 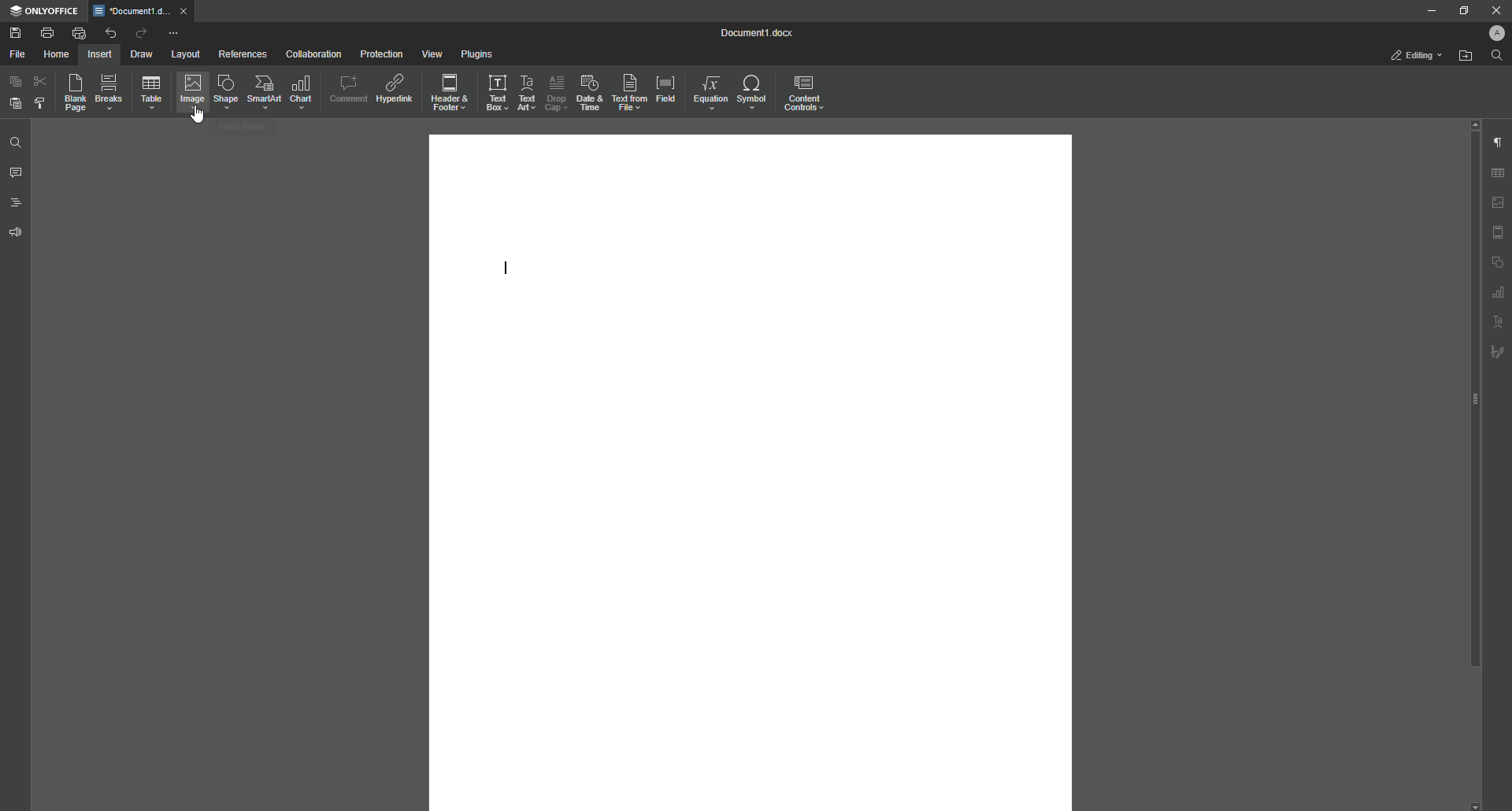 What do you see at coordinates (751, 92) in the screenshot?
I see `Symbol` at bounding box center [751, 92].